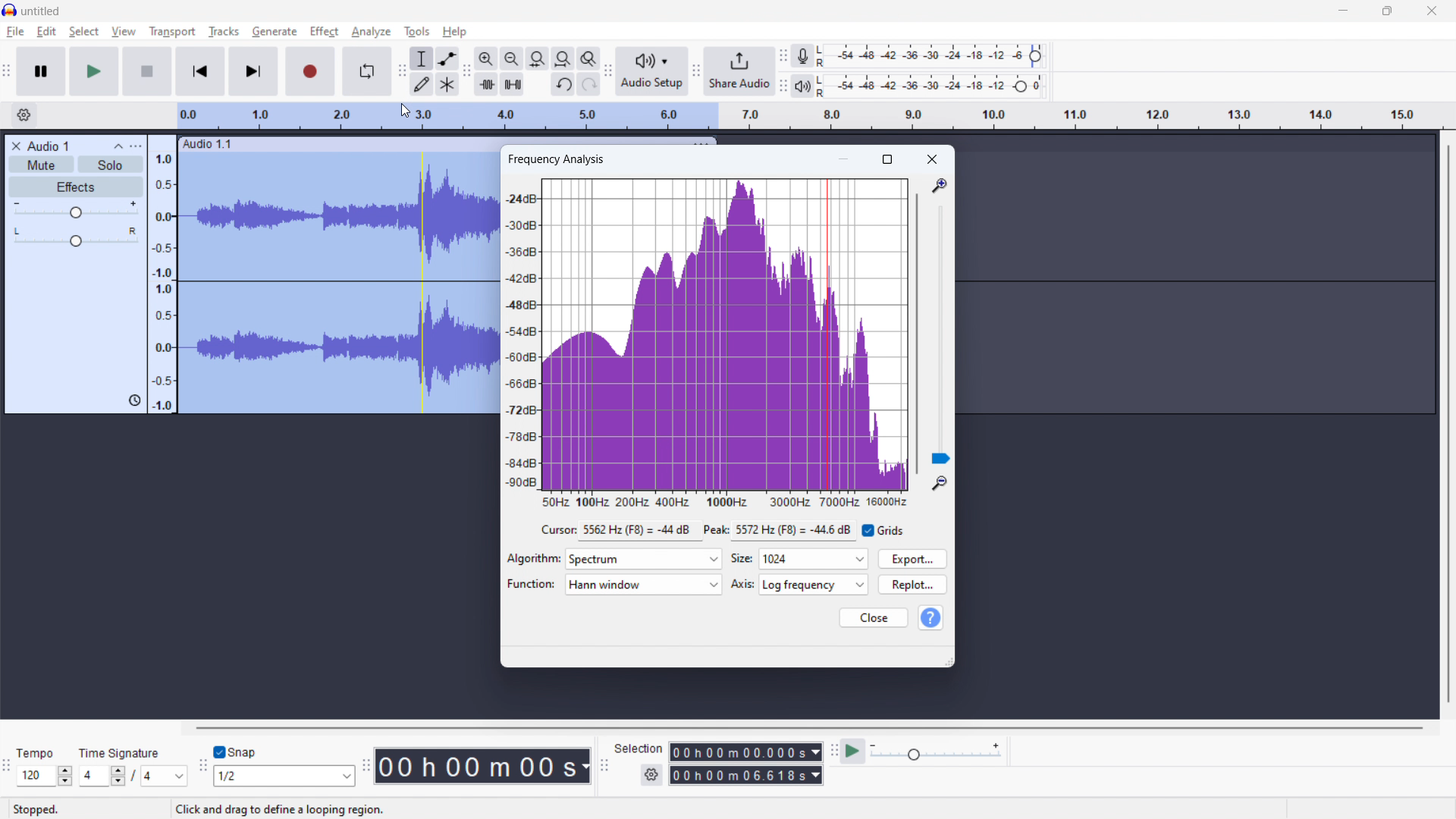 Image resolution: width=1456 pixels, height=819 pixels. What do you see at coordinates (367, 71) in the screenshot?
I see `enable loop` at bounding box center [367, 71].